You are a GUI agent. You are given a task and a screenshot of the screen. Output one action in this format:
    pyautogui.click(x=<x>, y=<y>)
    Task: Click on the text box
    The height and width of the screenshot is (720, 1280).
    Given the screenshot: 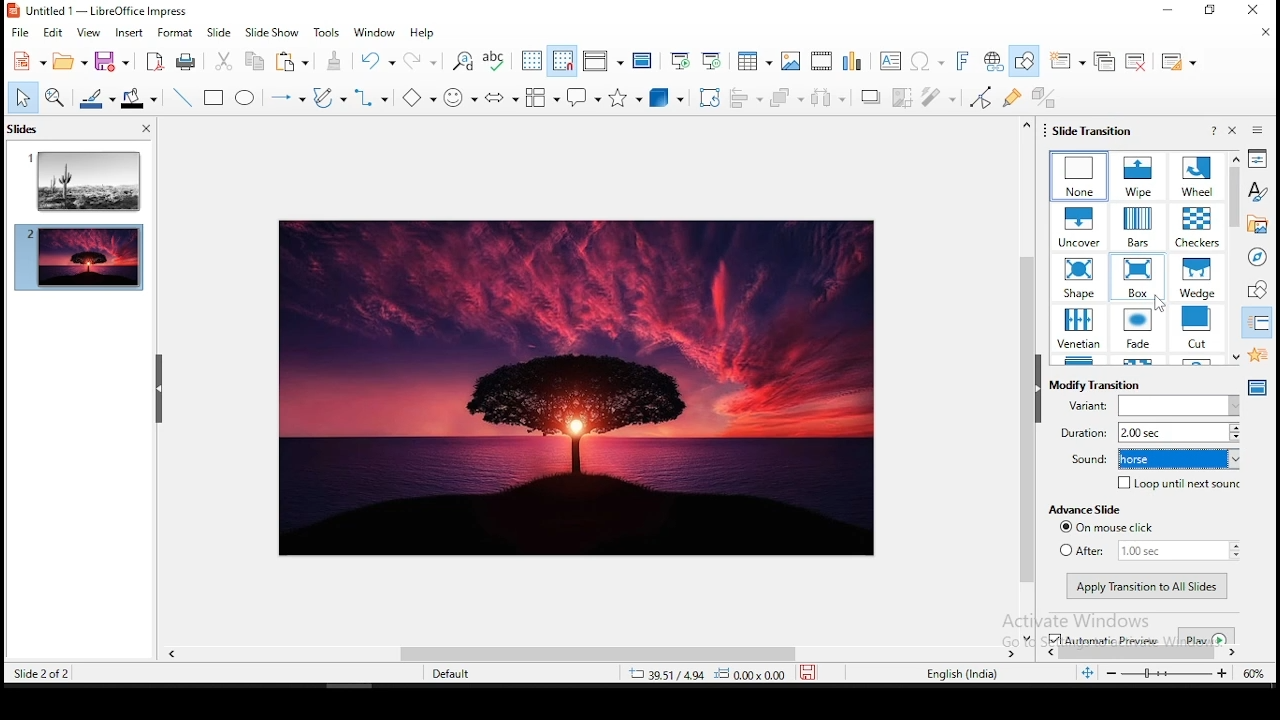 What is the action you would take?
    pyautogui.click(x=890, y=61)
    